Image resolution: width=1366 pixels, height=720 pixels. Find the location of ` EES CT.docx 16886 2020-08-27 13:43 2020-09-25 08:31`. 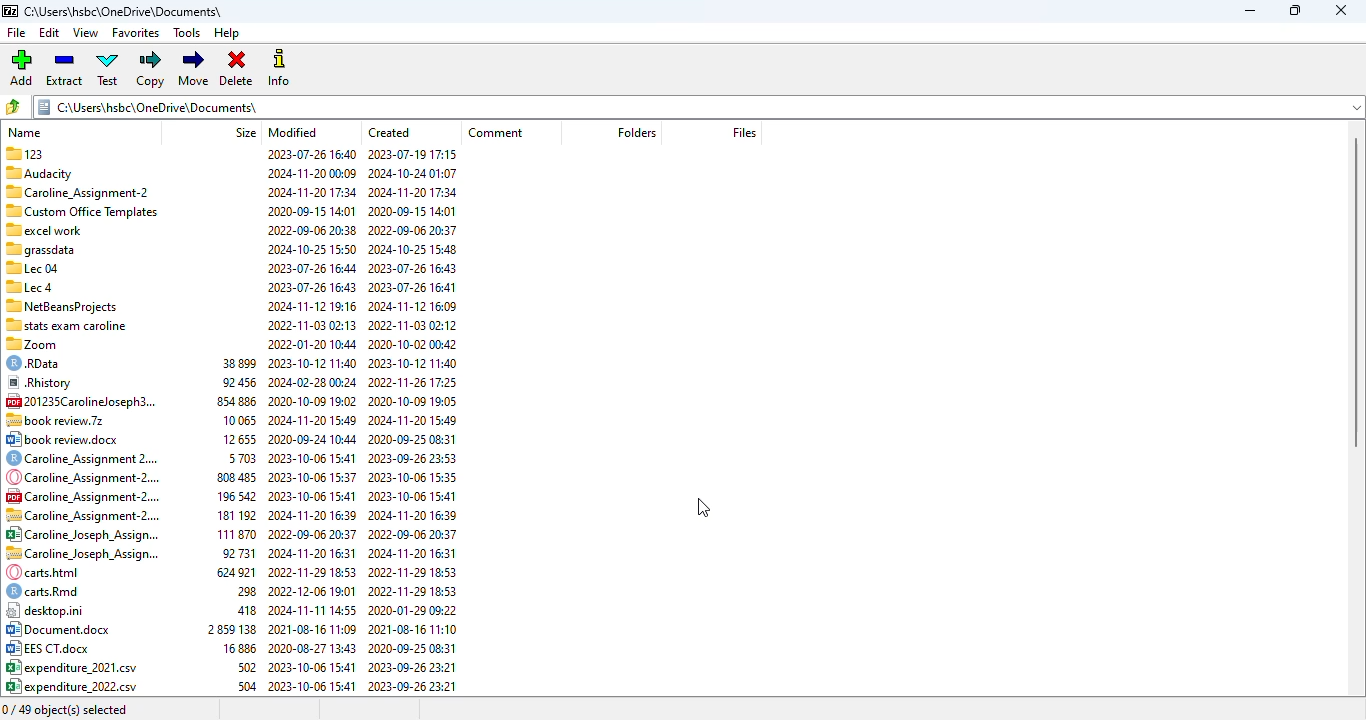

 EES CT.docx 16886 2020-08-27 13:43 2020-09-25 08:31 is located at coordinates (232, 630).